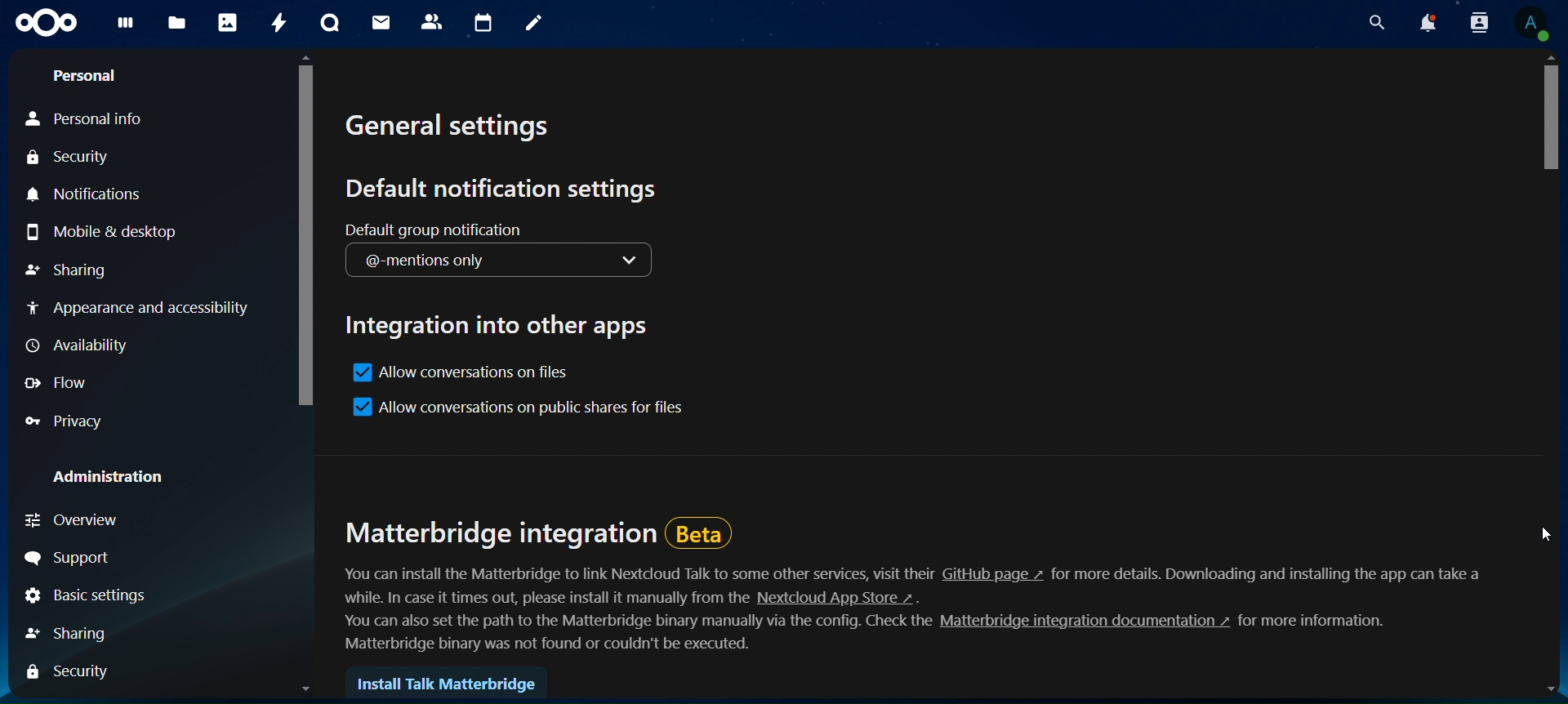  What do you see at coordinates (1543, 527) in the screenshot?
I see `cursor` at bounding box center [1543, 527].